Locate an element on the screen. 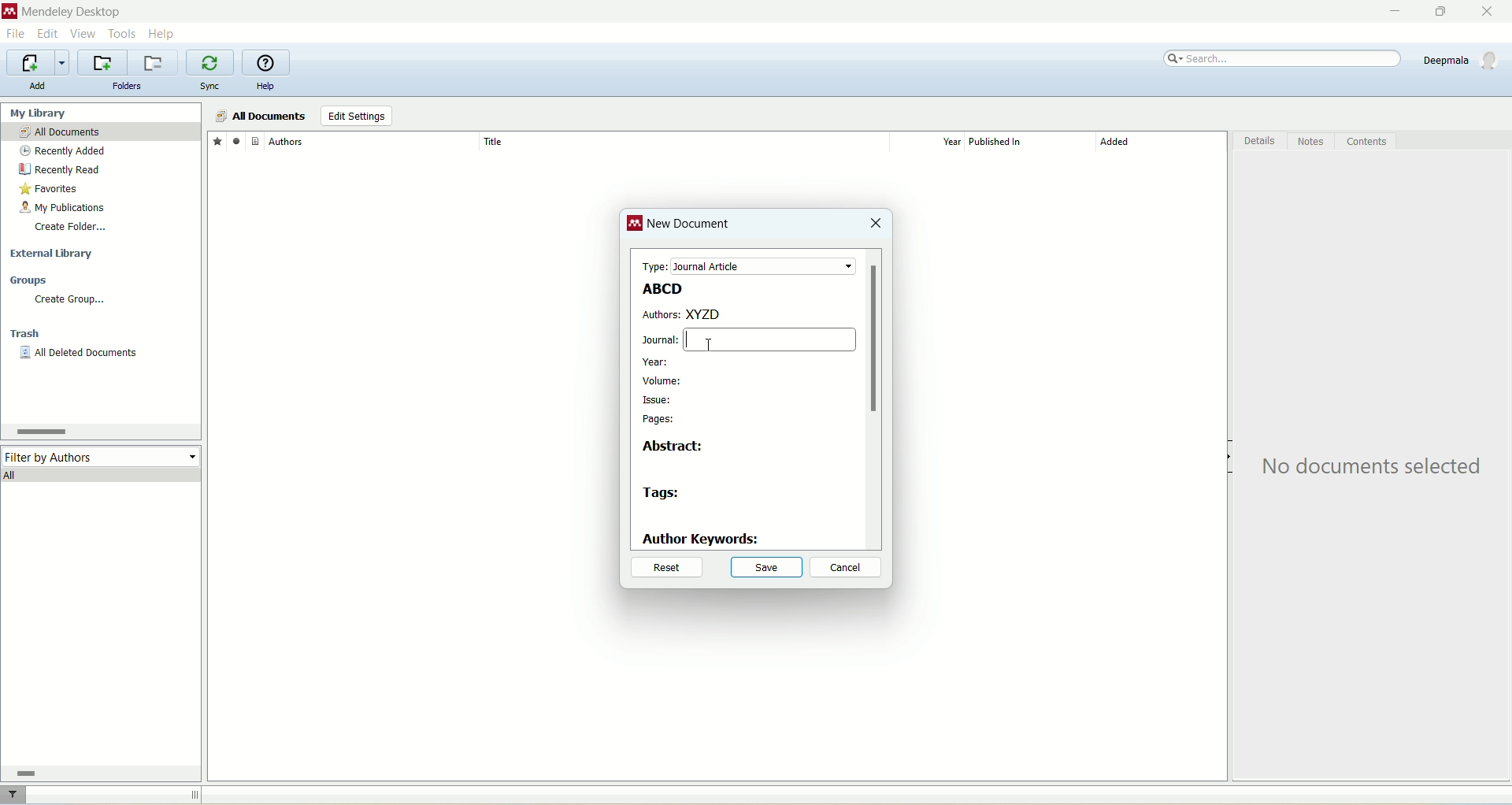 The width and height of the screenshot is (1512, 805). filter by author is located at coordinates (102, 455).